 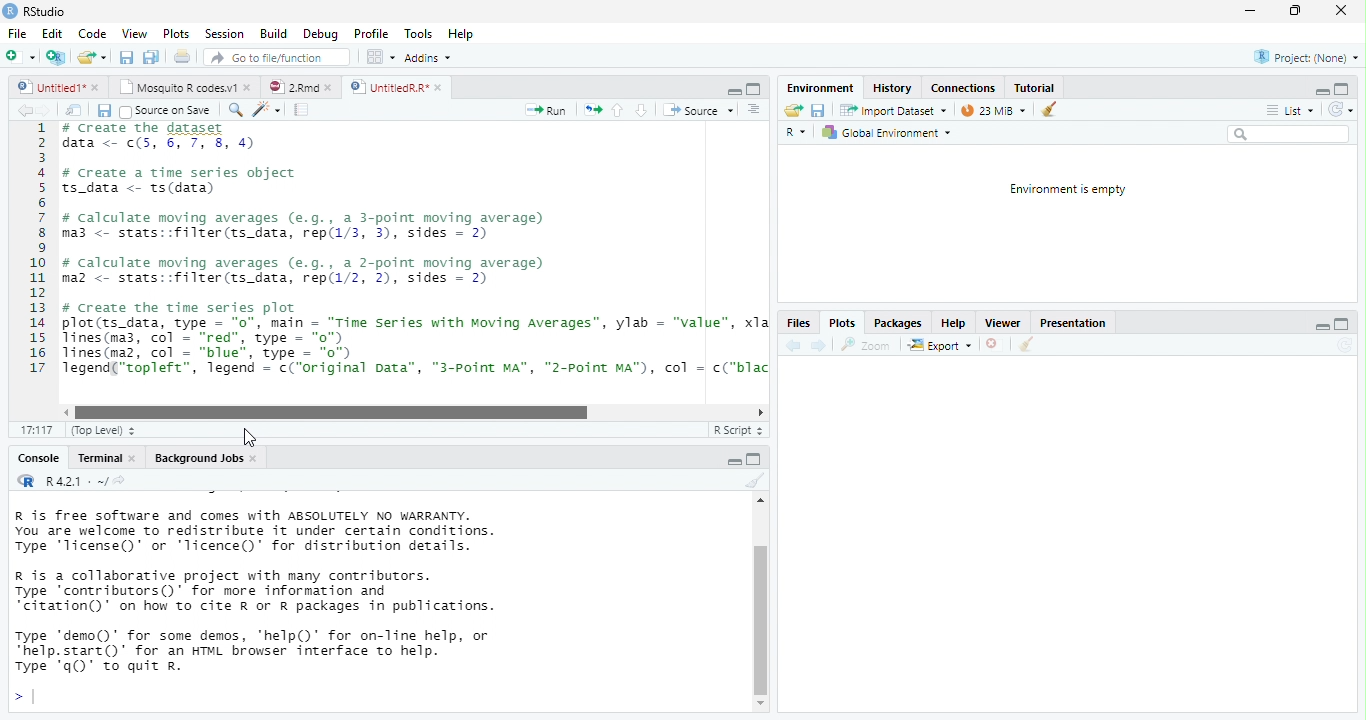 What do you see at coordinates (1341, 110) in the screenshot?
I see `Refresh` at bounding box center [1341, 110].